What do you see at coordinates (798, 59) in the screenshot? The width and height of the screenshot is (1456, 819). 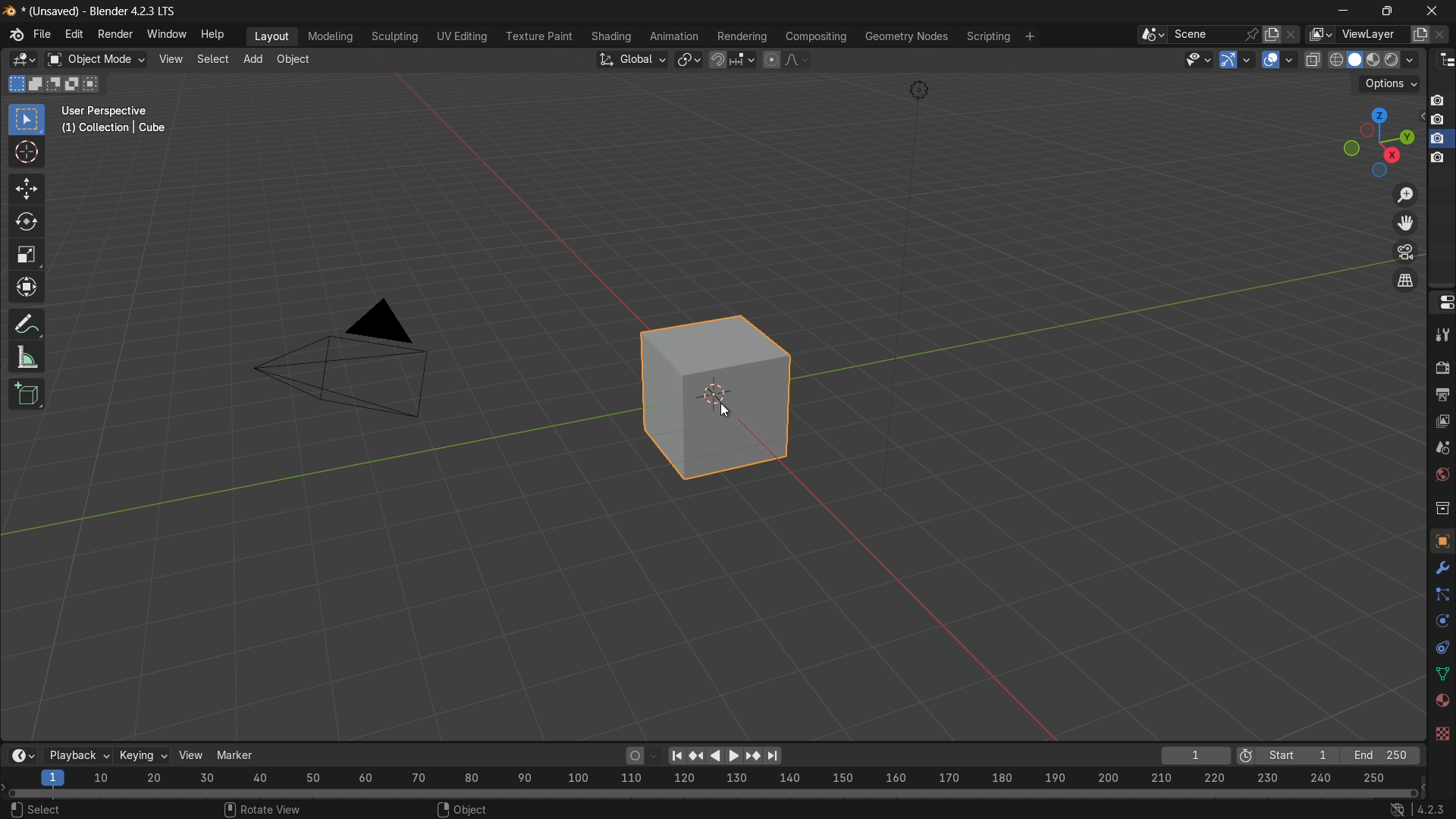 I see `propotional editing fall off` at bounding box center [798, 59].